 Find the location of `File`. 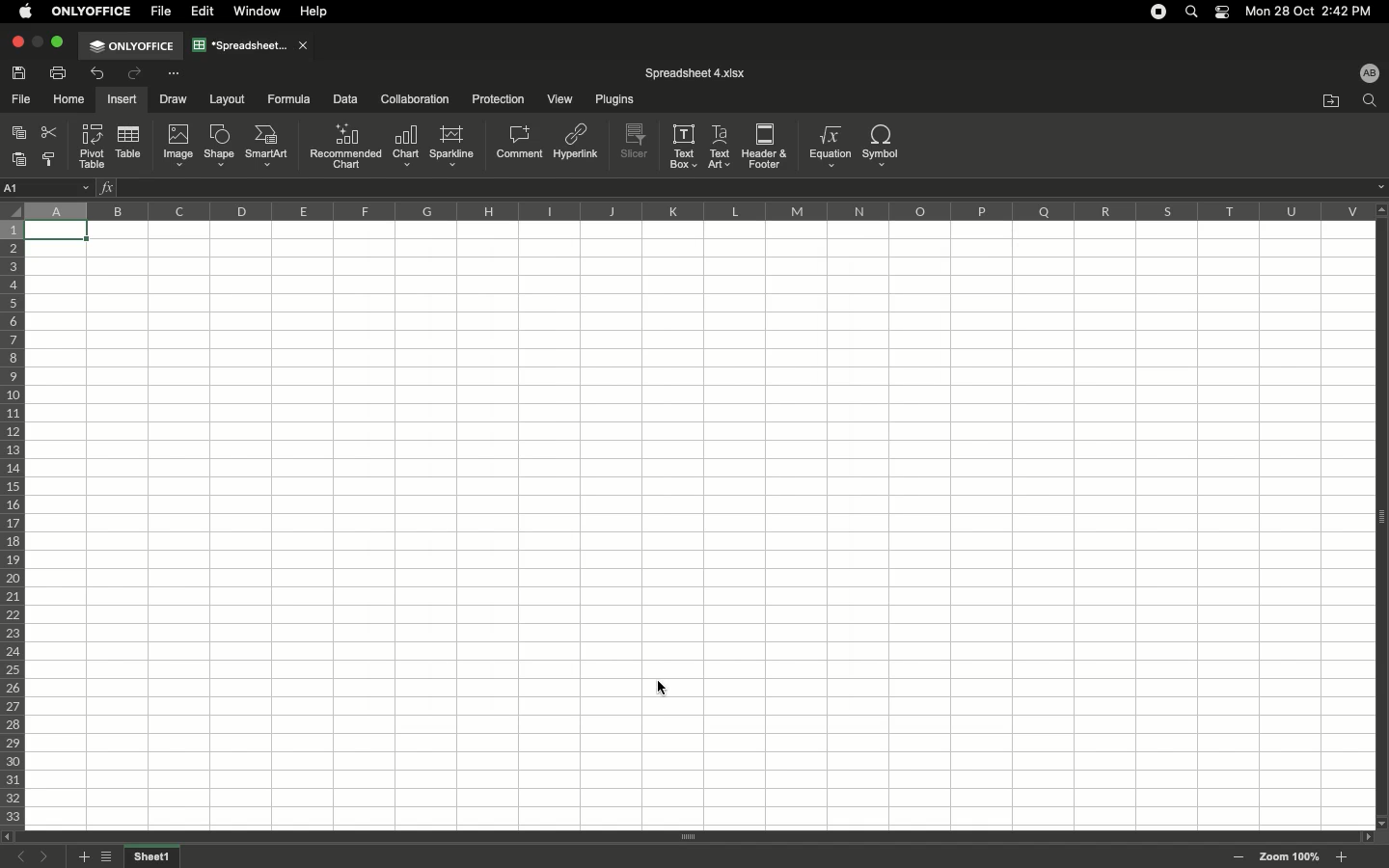

File is located at coordinates (163, 12).